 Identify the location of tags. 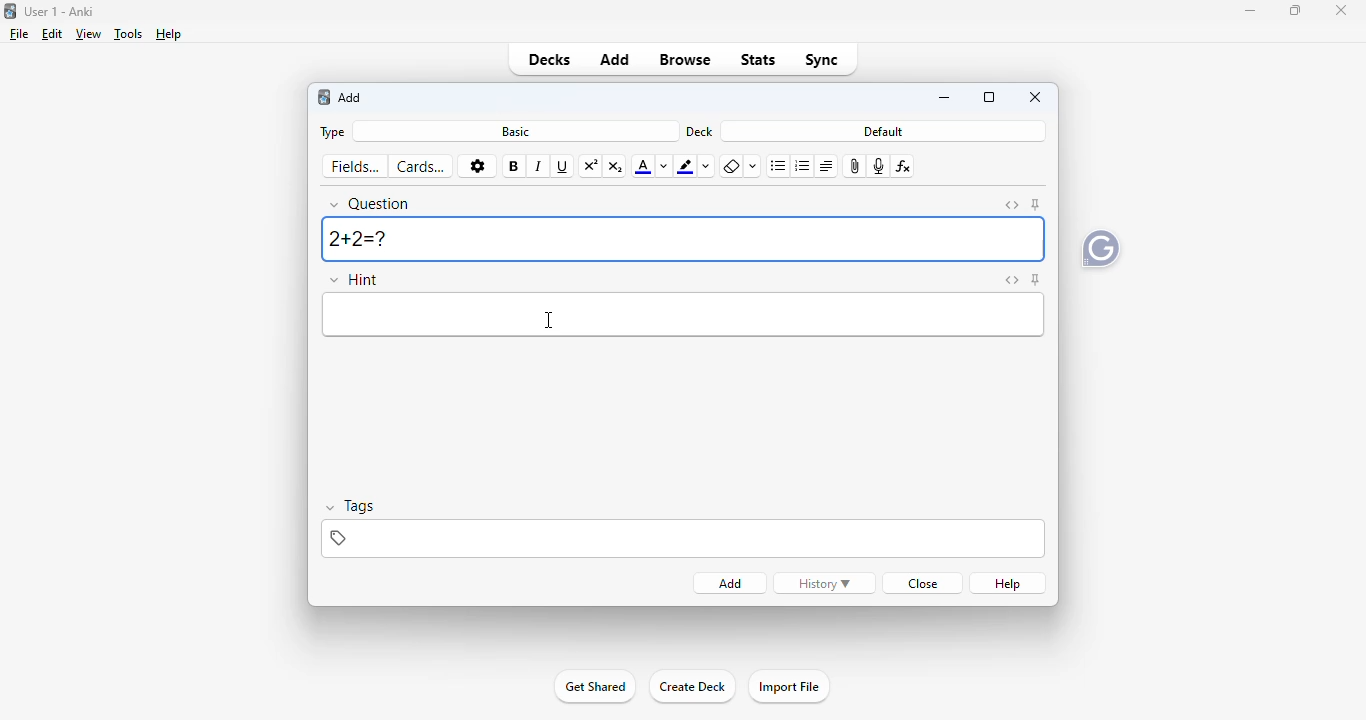
(683, 539).